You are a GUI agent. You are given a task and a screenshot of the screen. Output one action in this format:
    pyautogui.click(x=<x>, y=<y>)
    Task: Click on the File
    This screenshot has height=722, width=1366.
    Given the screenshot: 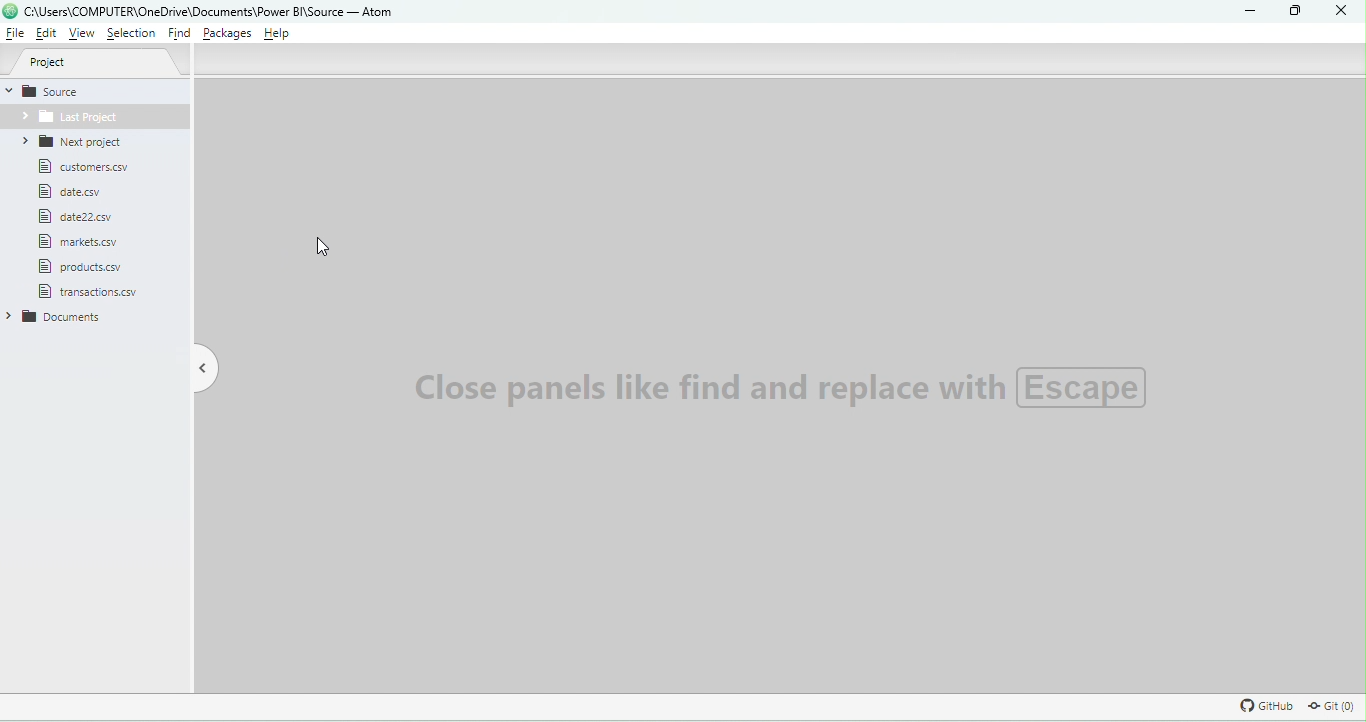 What is the action you would take?
    pyautogui.click(x=78, y=217)
    